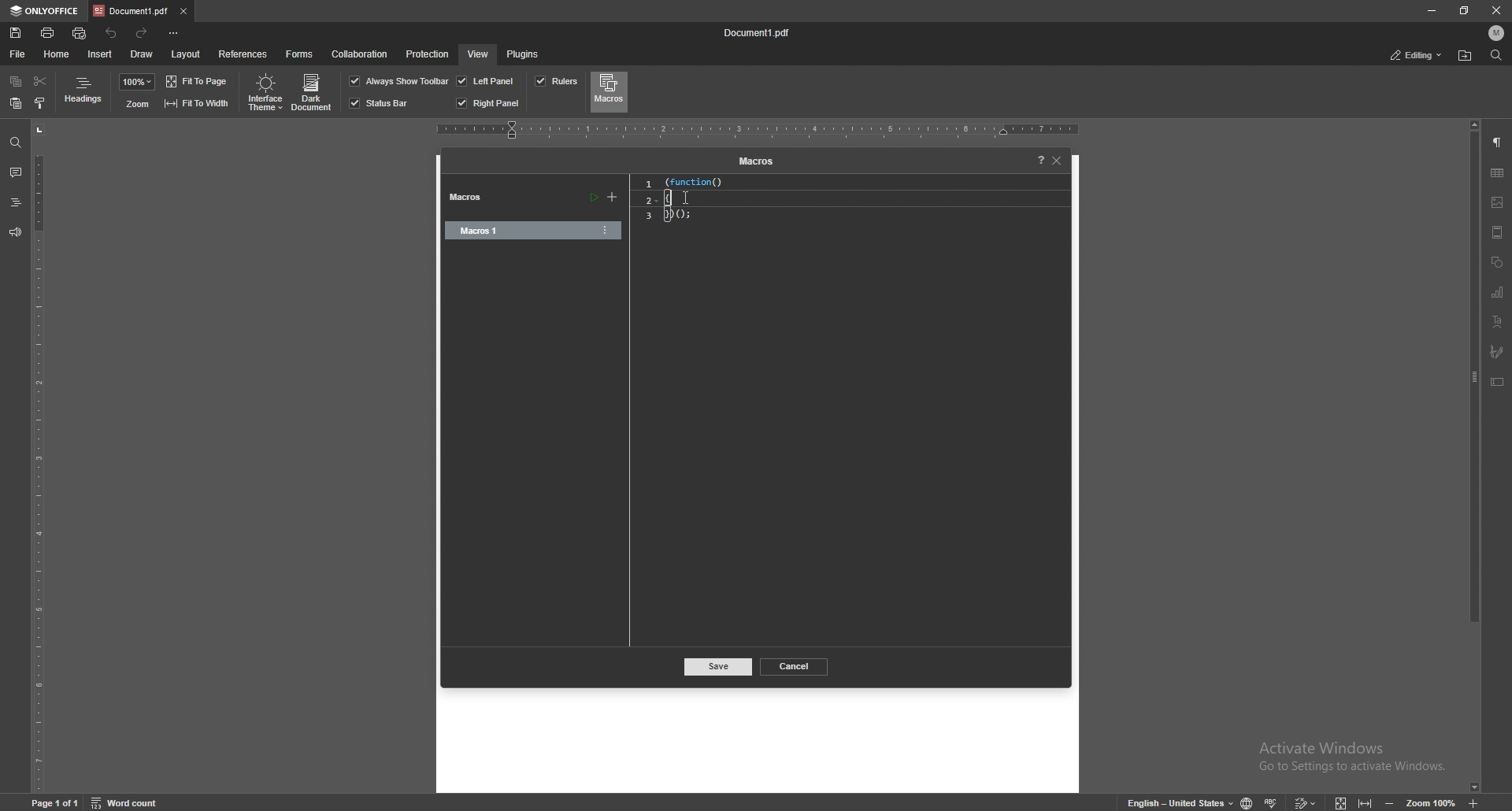  What do you see at coordinates (1475, 455) in the screenshot?
I see `scroll bar` at bounding box center [1475, 455].